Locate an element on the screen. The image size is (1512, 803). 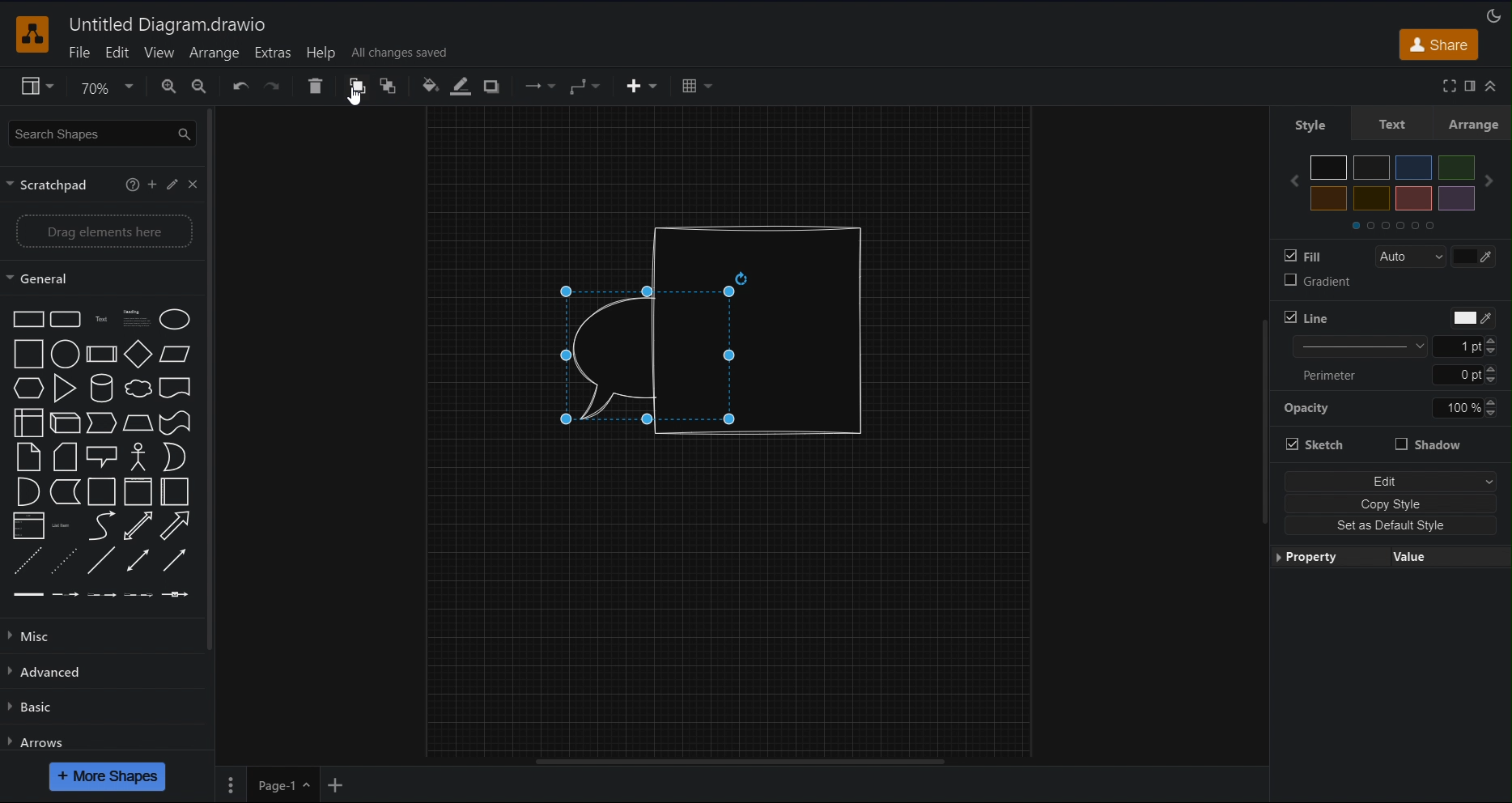
Card is located at coordinates (65, 457).